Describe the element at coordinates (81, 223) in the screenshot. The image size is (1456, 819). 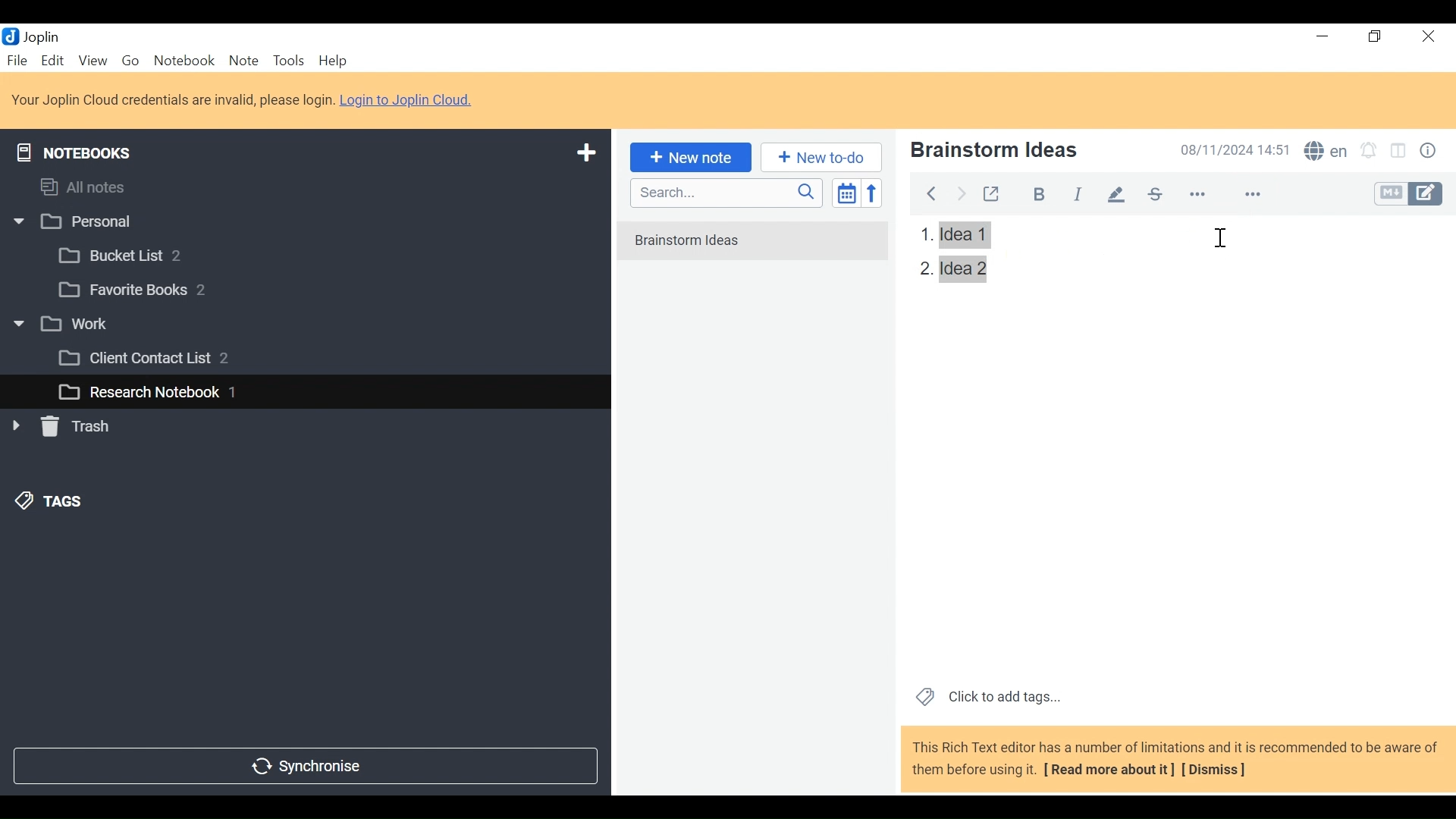
I see `w |] Personal` at that location.